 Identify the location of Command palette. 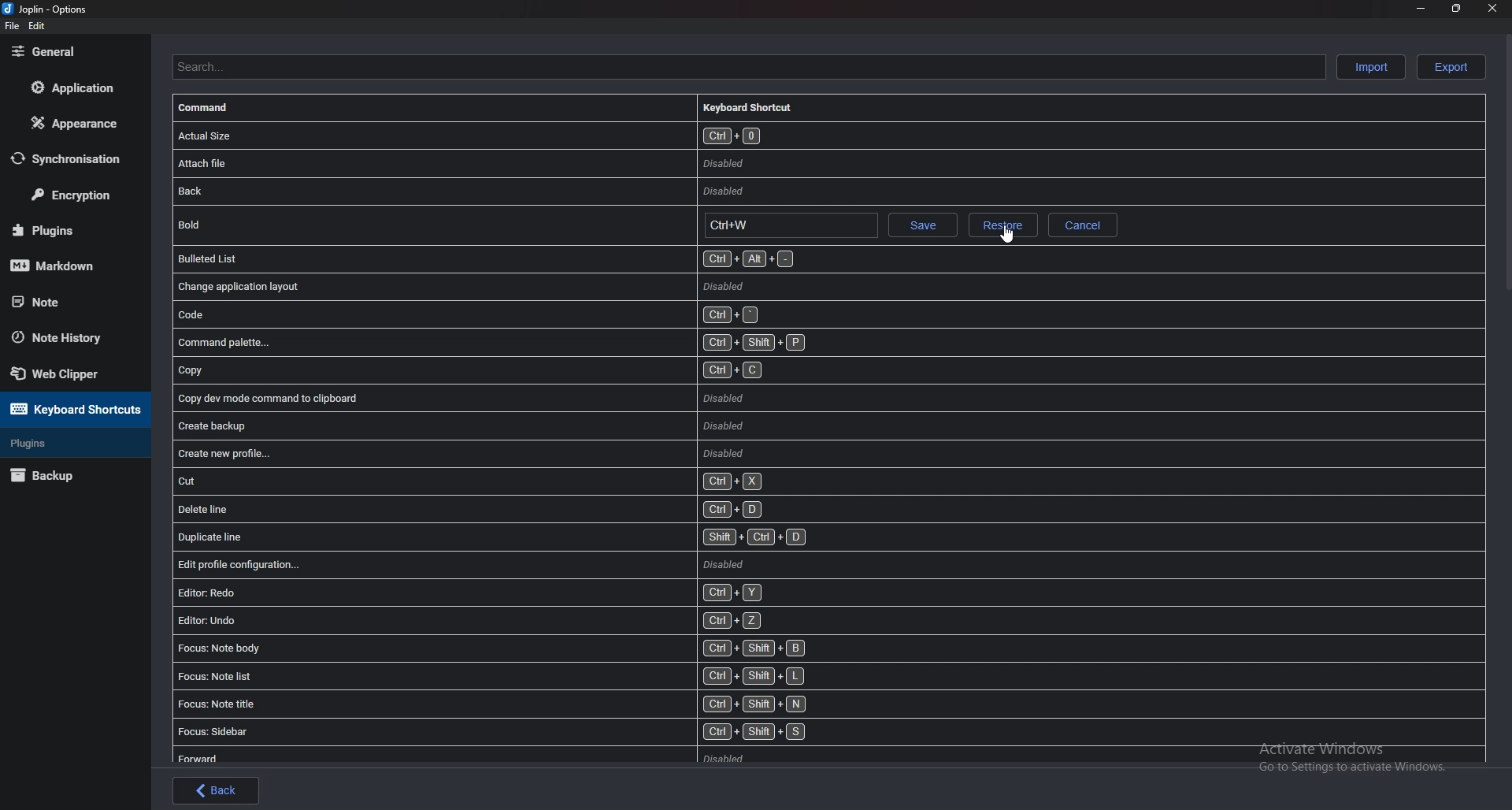
(499, 343).